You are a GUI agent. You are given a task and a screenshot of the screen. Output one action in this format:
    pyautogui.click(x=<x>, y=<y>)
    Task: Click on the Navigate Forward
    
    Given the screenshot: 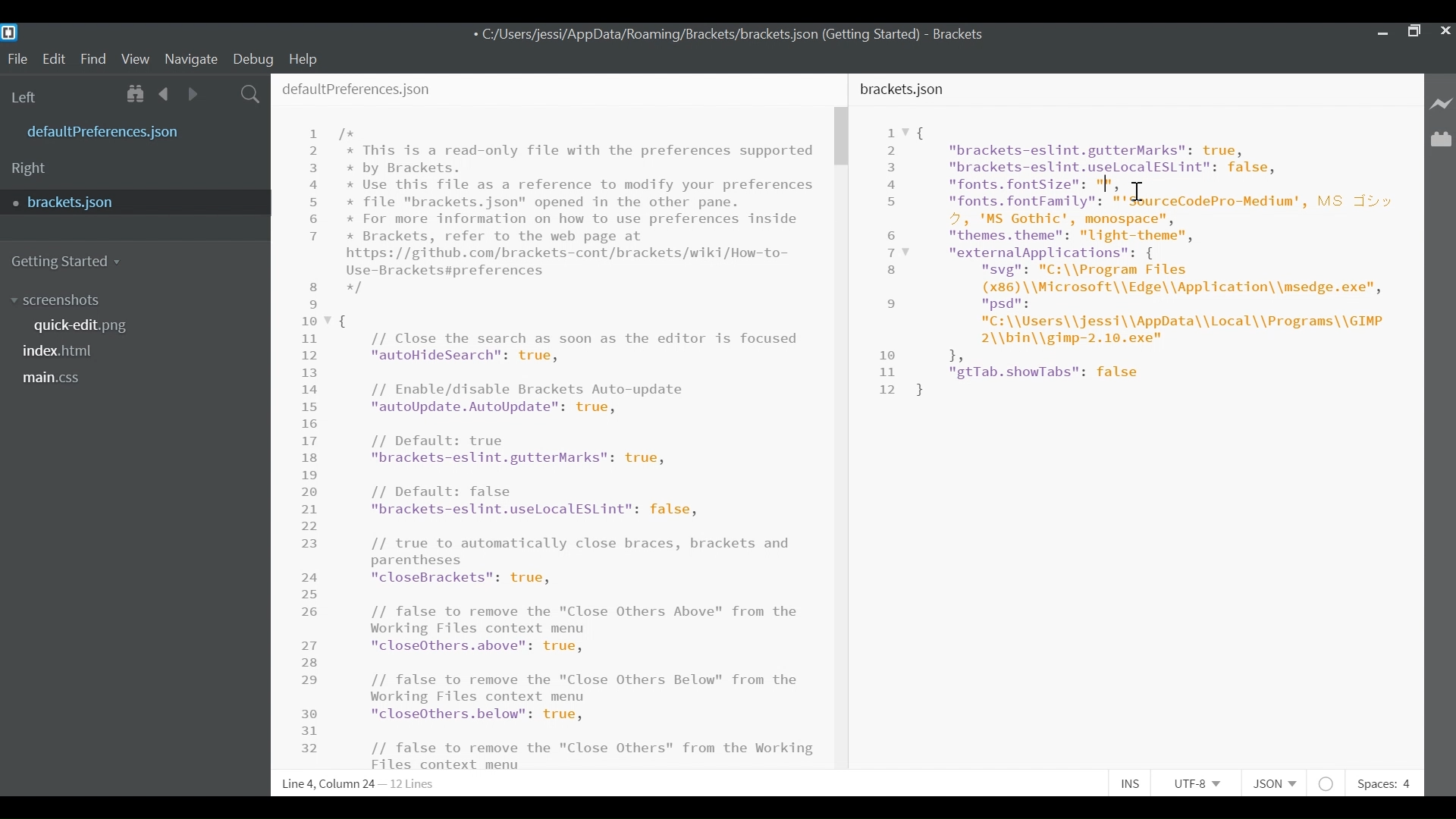 What is the action you would take?
    pyautogui.click(x=194, y=93)
    